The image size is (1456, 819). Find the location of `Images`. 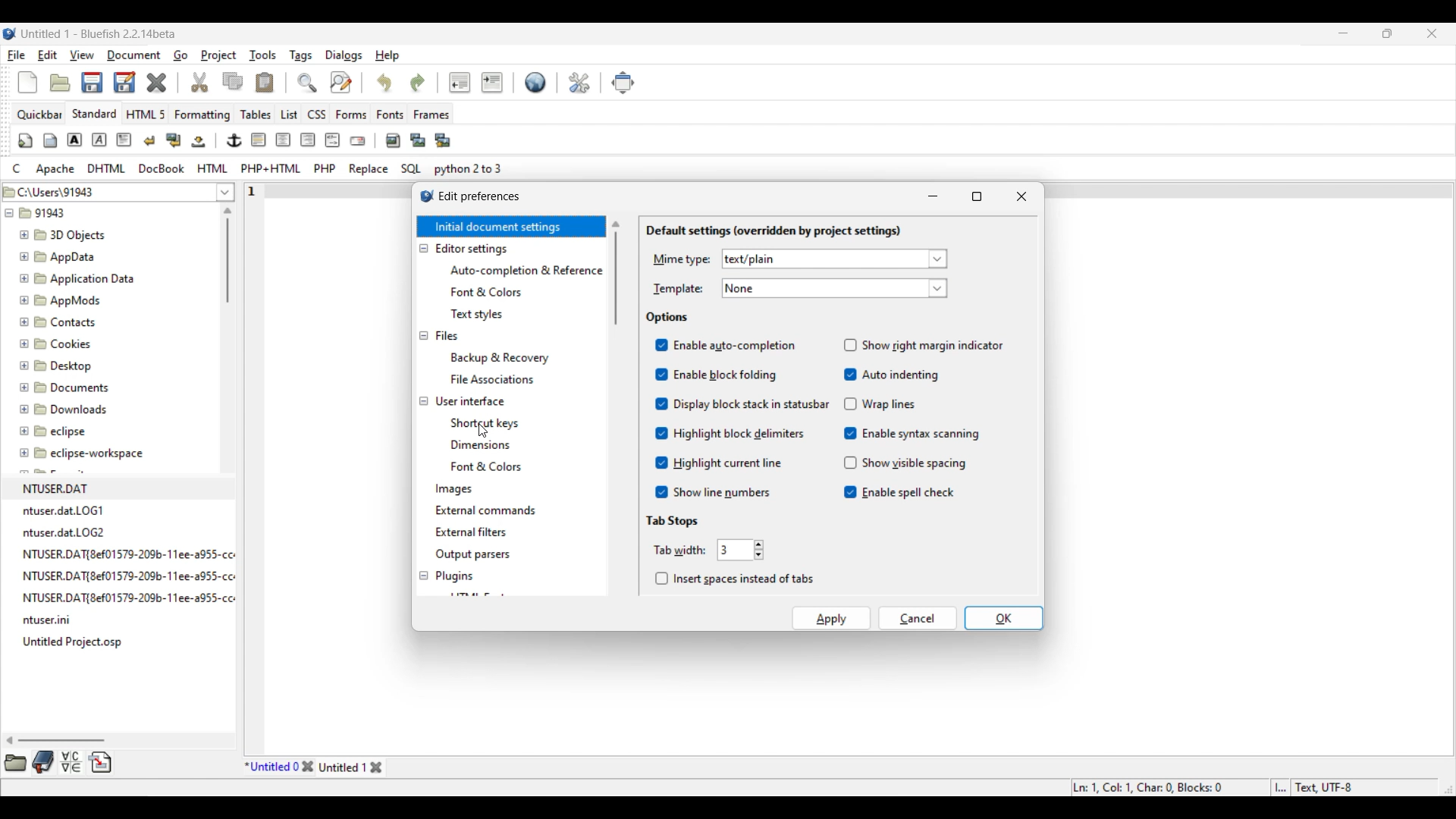

Images is located at coordinates (455, 490).